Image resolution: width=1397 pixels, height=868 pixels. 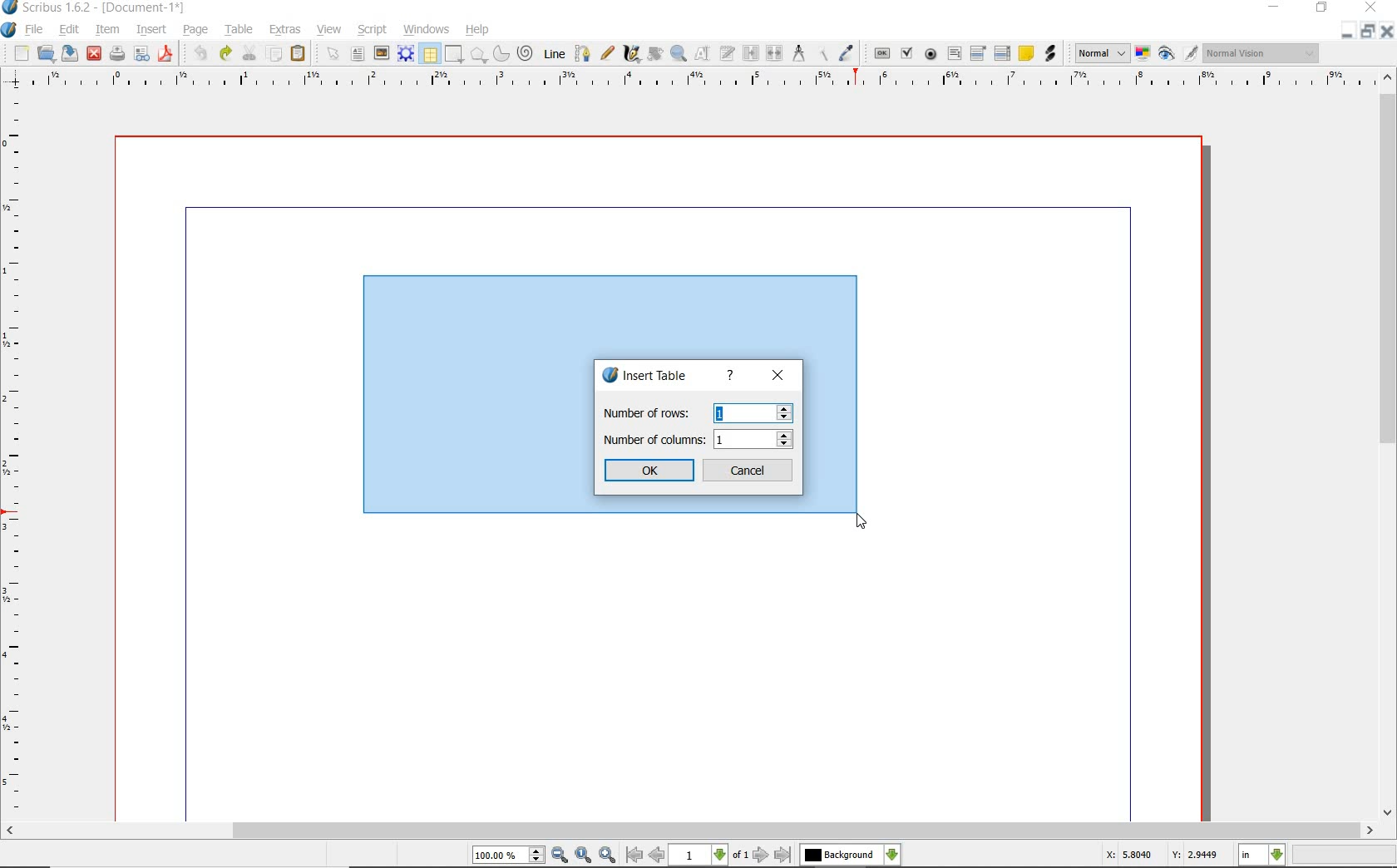 What do you see at coordinates (67, 30) in the screenshot?
I see `edit` at bounding box center [67, 30].